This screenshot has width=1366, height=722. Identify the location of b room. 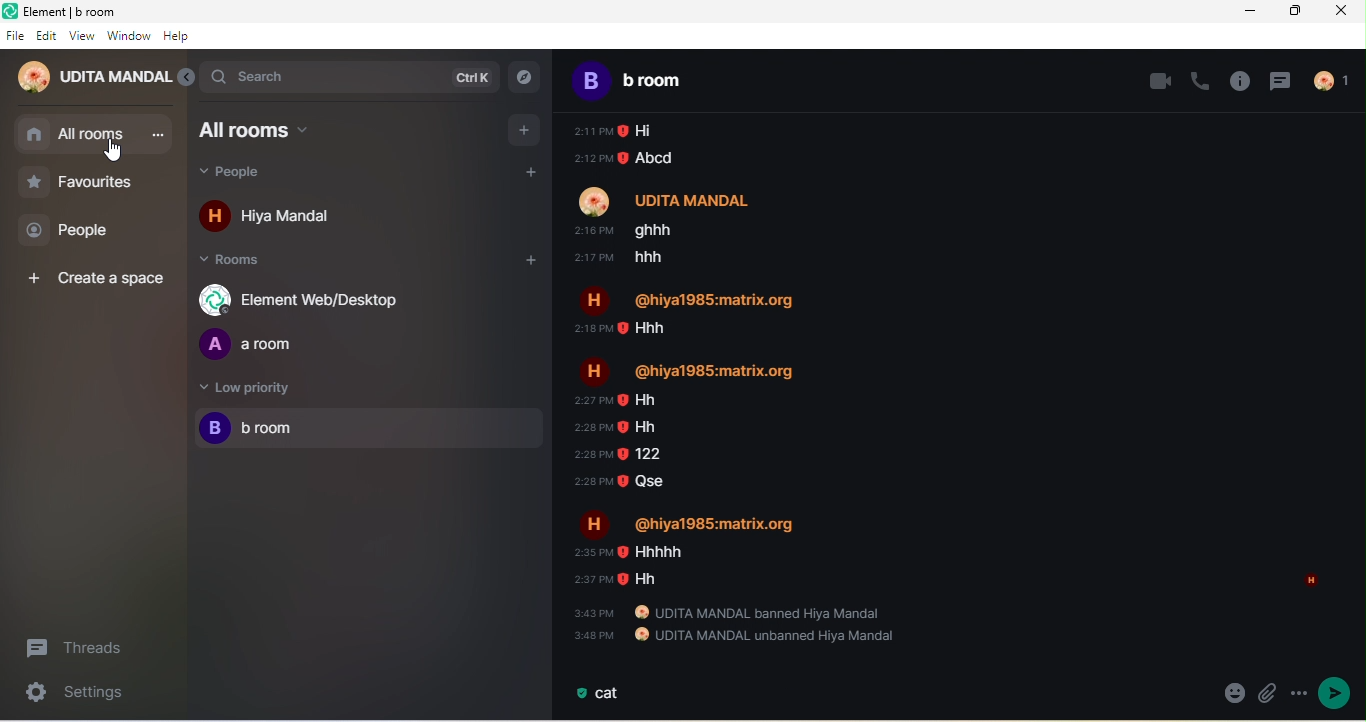
(656, 79).